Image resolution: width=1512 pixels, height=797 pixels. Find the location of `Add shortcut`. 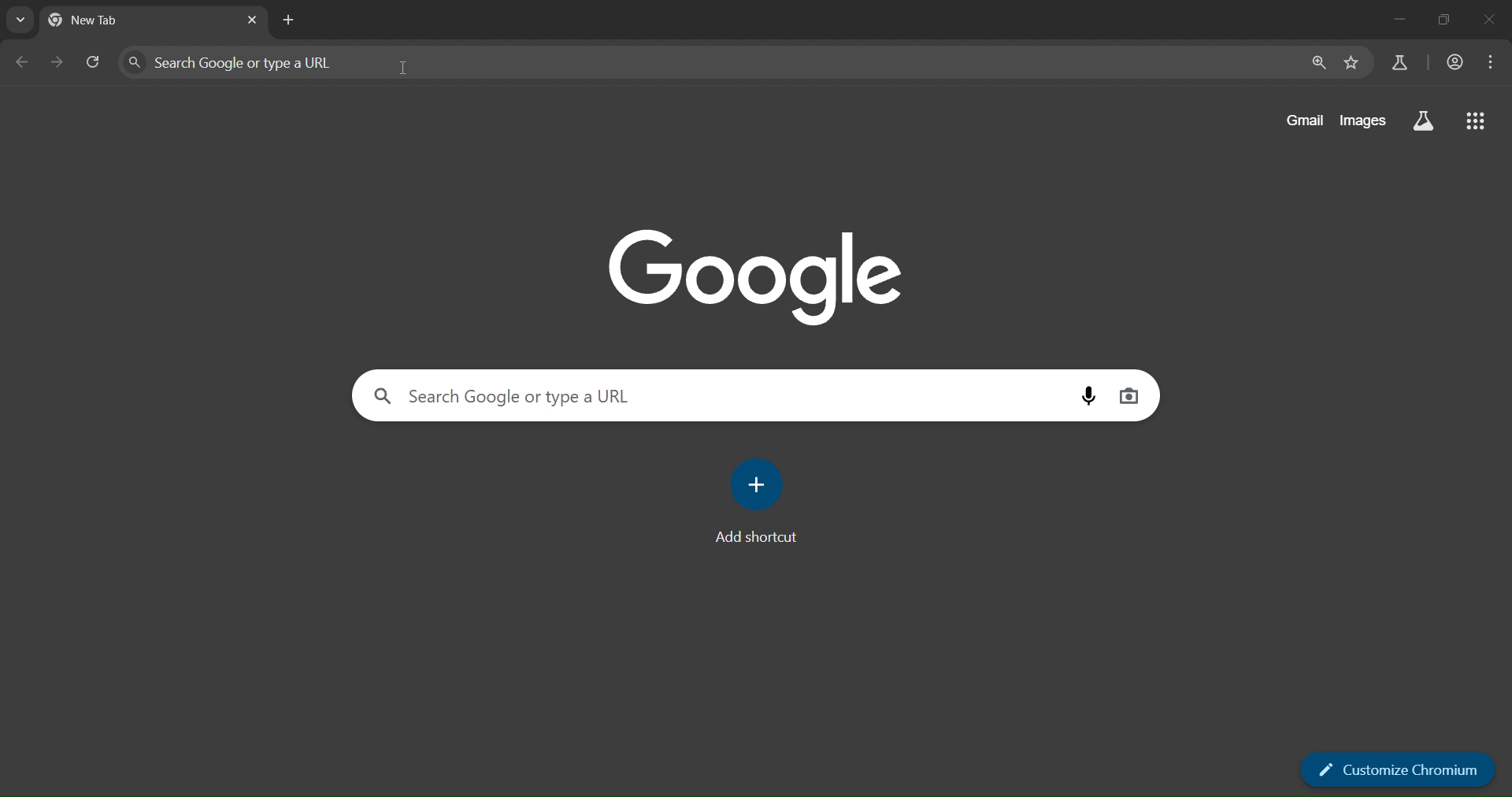

Add shortcut is located at coordinates (767, 539).